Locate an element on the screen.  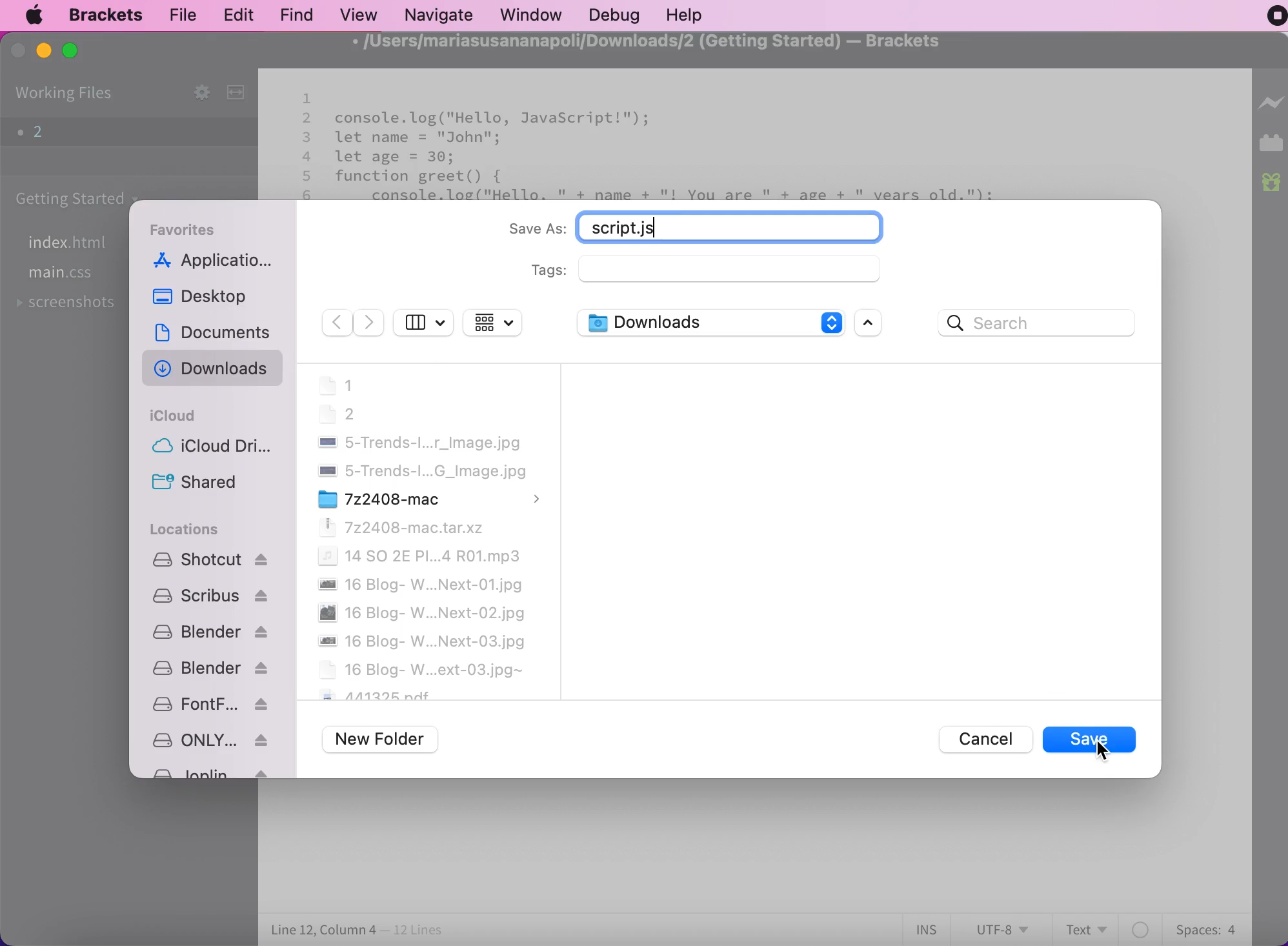
locations is located at coordinates (188, 530).